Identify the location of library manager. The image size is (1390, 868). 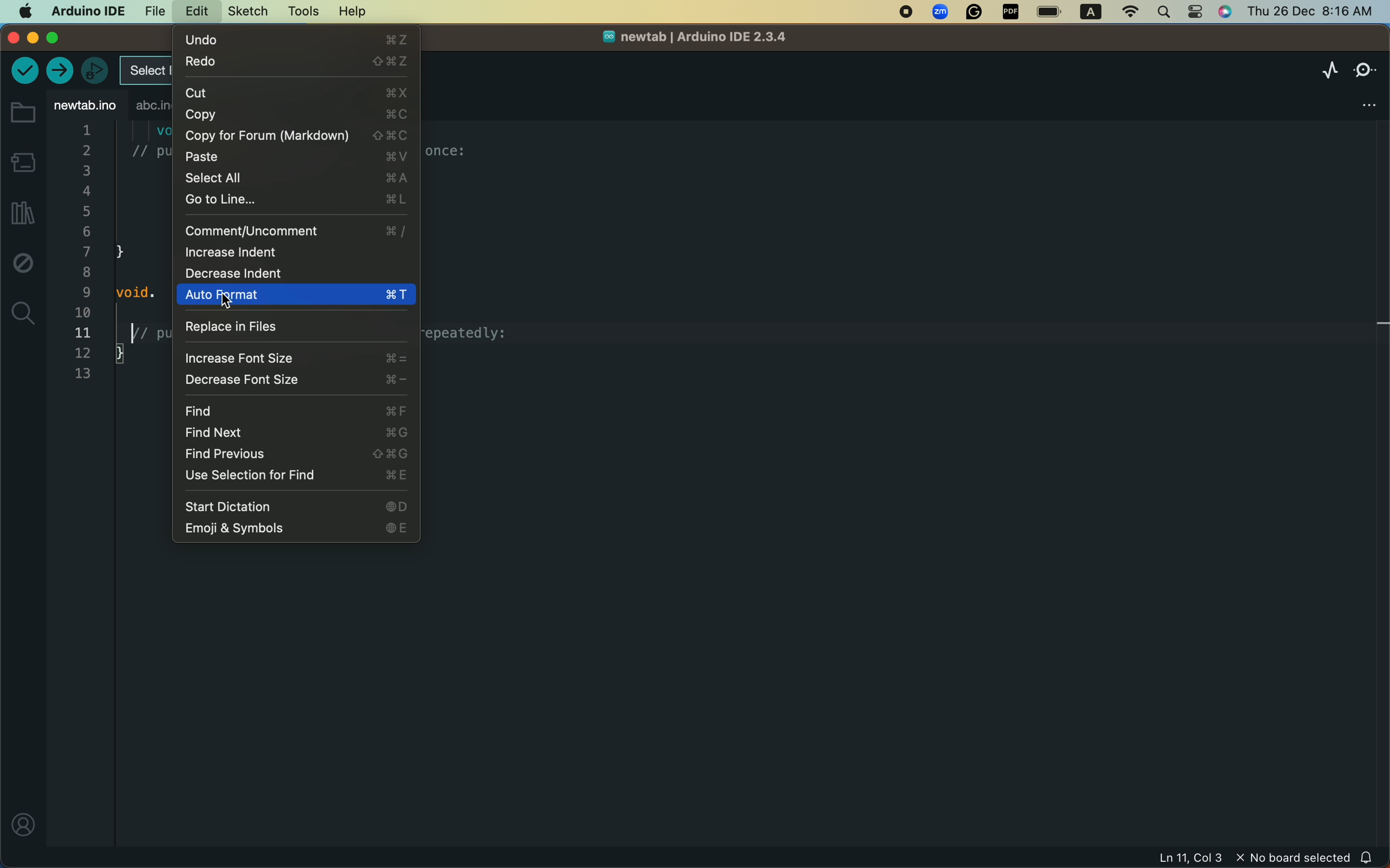
(20, 214).